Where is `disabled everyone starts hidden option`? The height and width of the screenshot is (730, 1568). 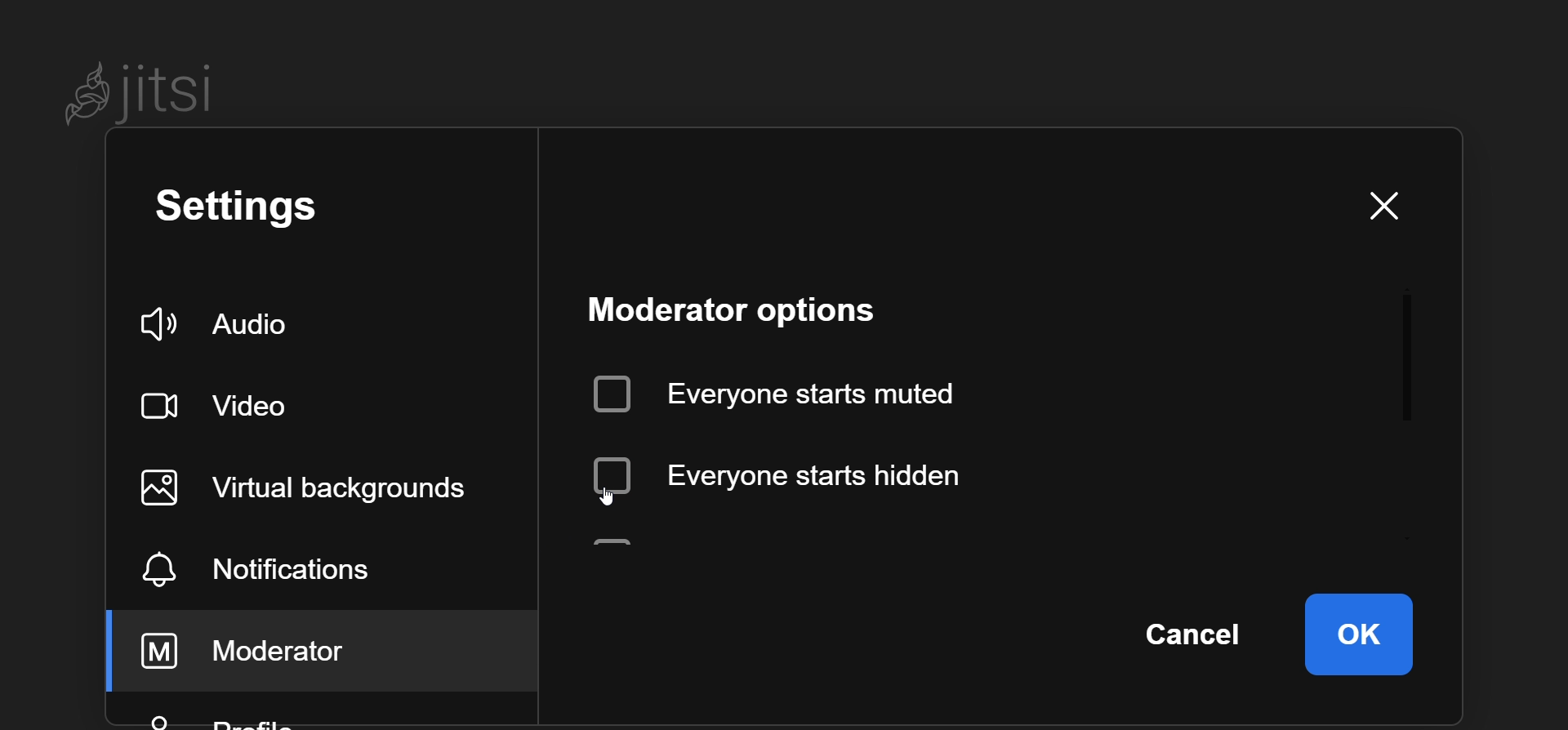
disabled everyone starts hidden option is located at coordinates (783, 476).